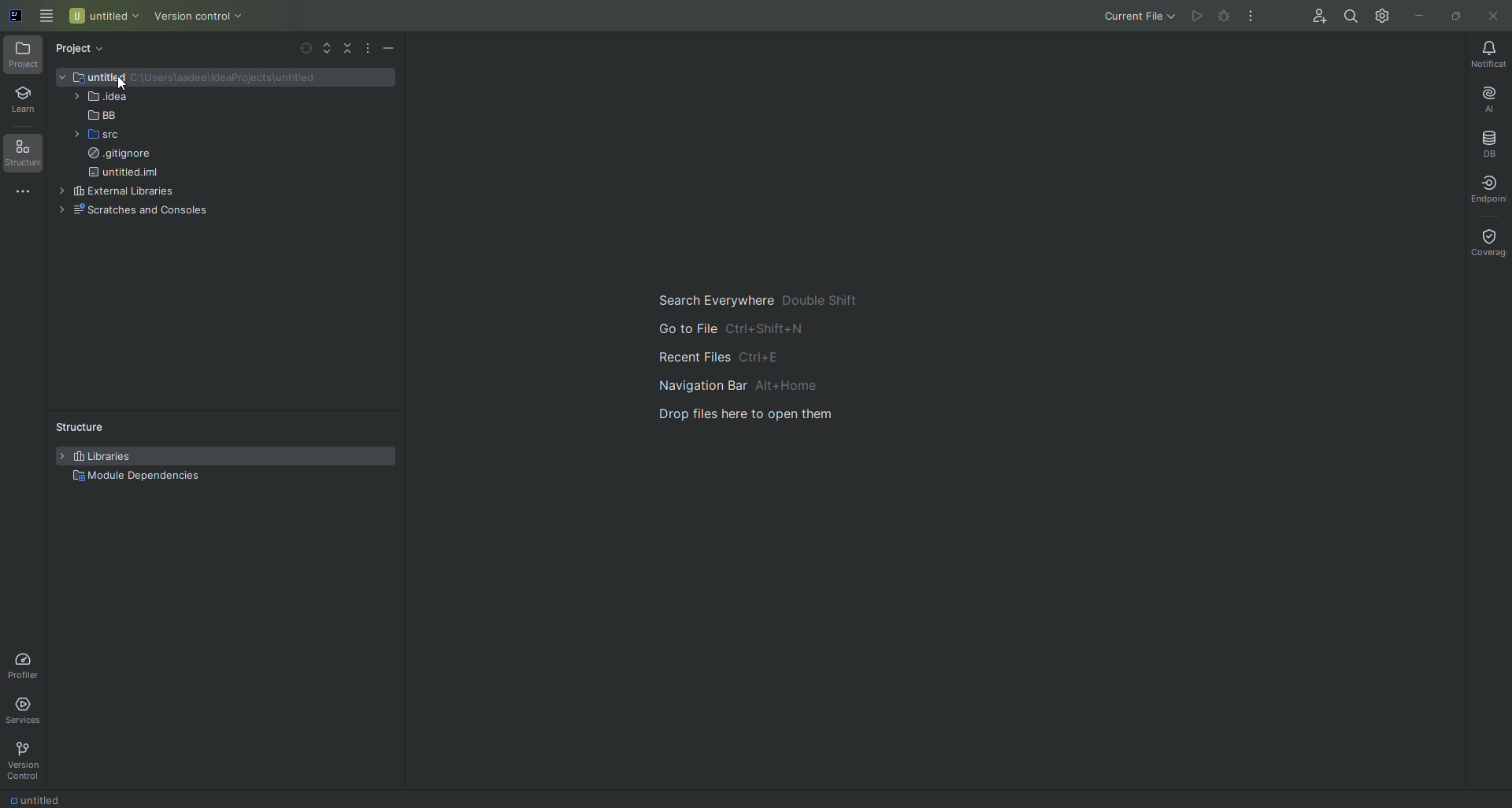 Image resolution: width=1512 pixels, height=808 pixels. I want to click on Current File, so click(1135, 15).